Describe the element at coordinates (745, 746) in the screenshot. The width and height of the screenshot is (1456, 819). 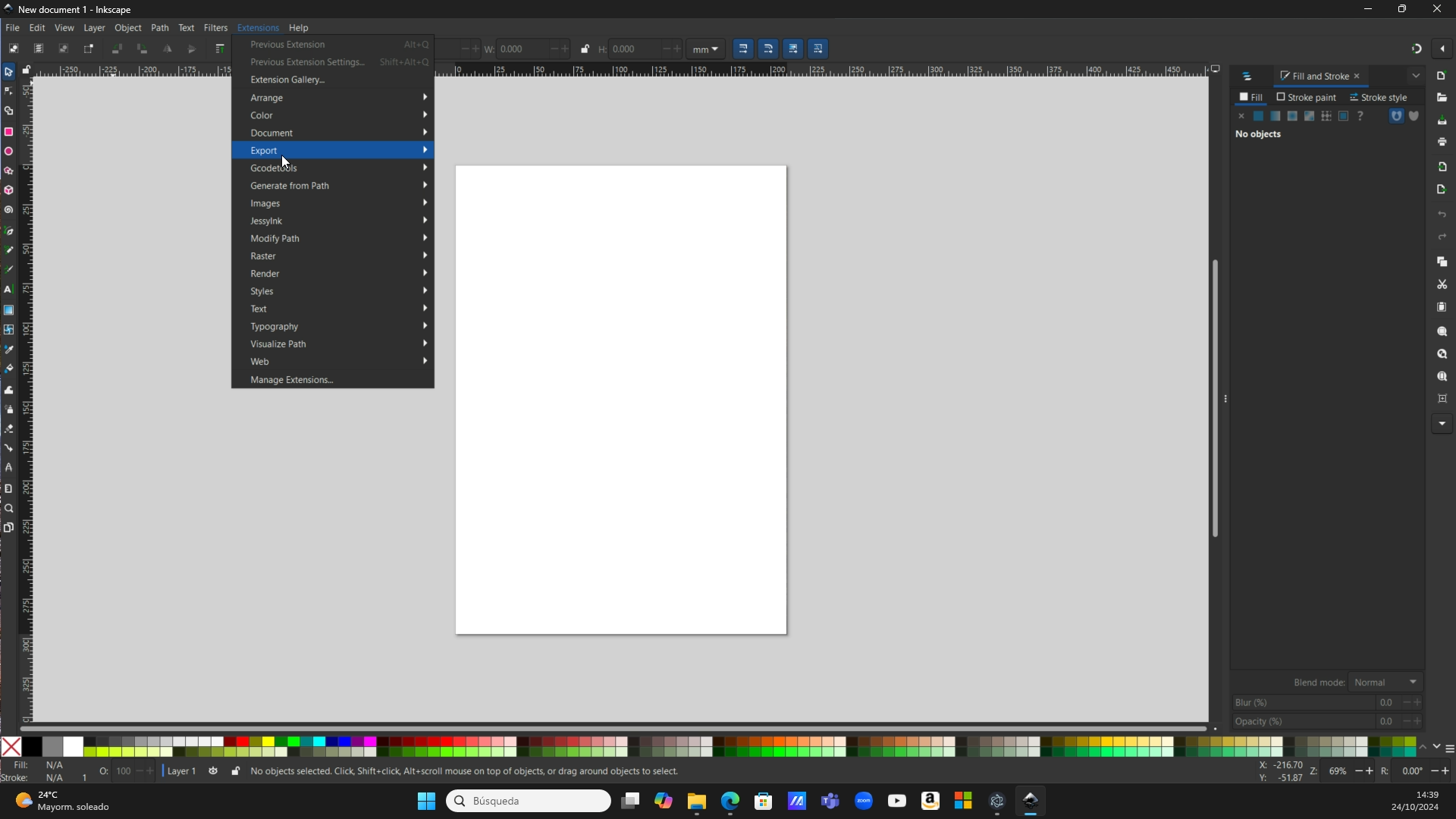
I see `Color Bar` at that location.